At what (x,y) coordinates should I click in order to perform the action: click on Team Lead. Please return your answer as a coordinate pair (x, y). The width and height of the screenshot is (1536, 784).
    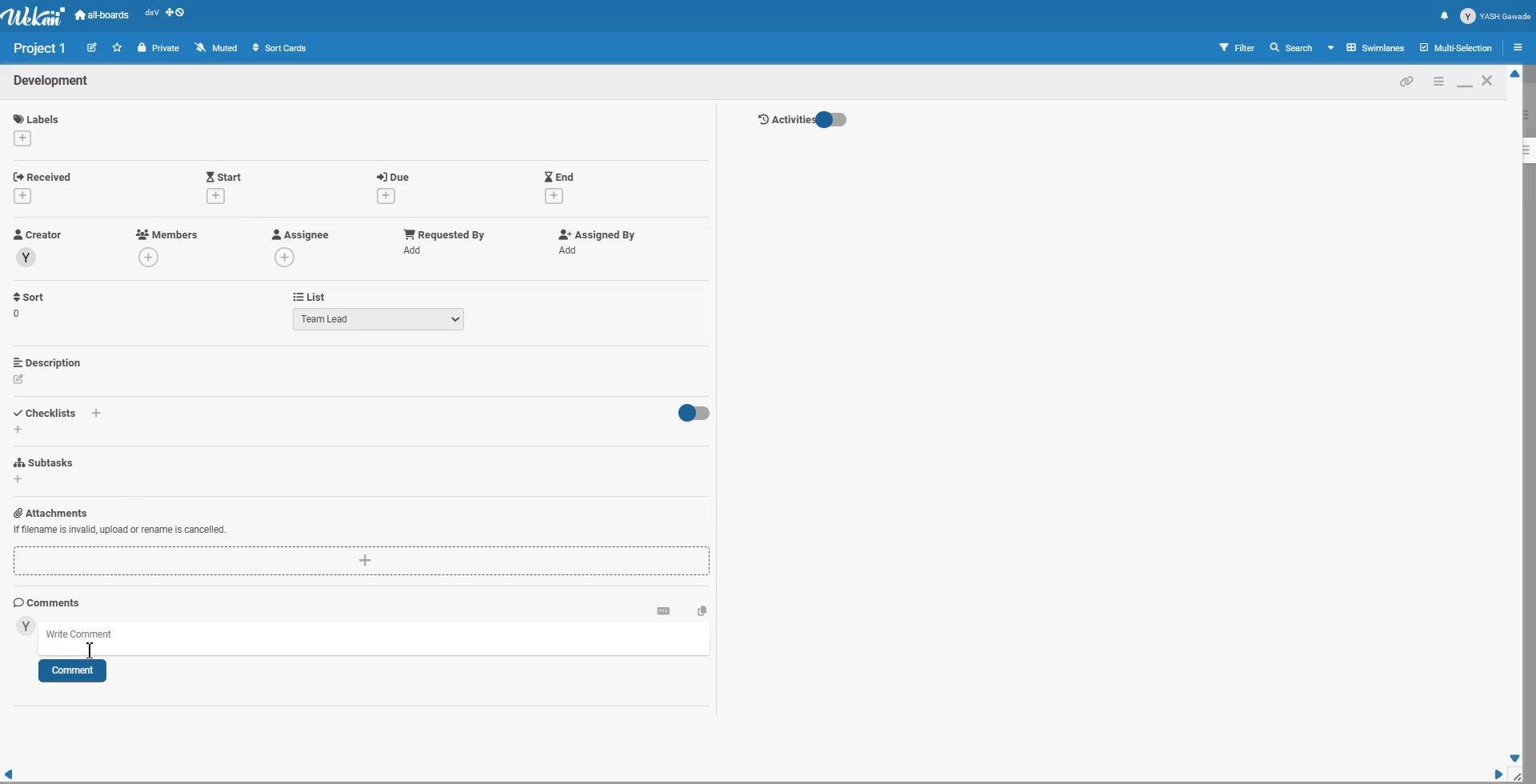
    Looking at the image, I should click on (379, 318).